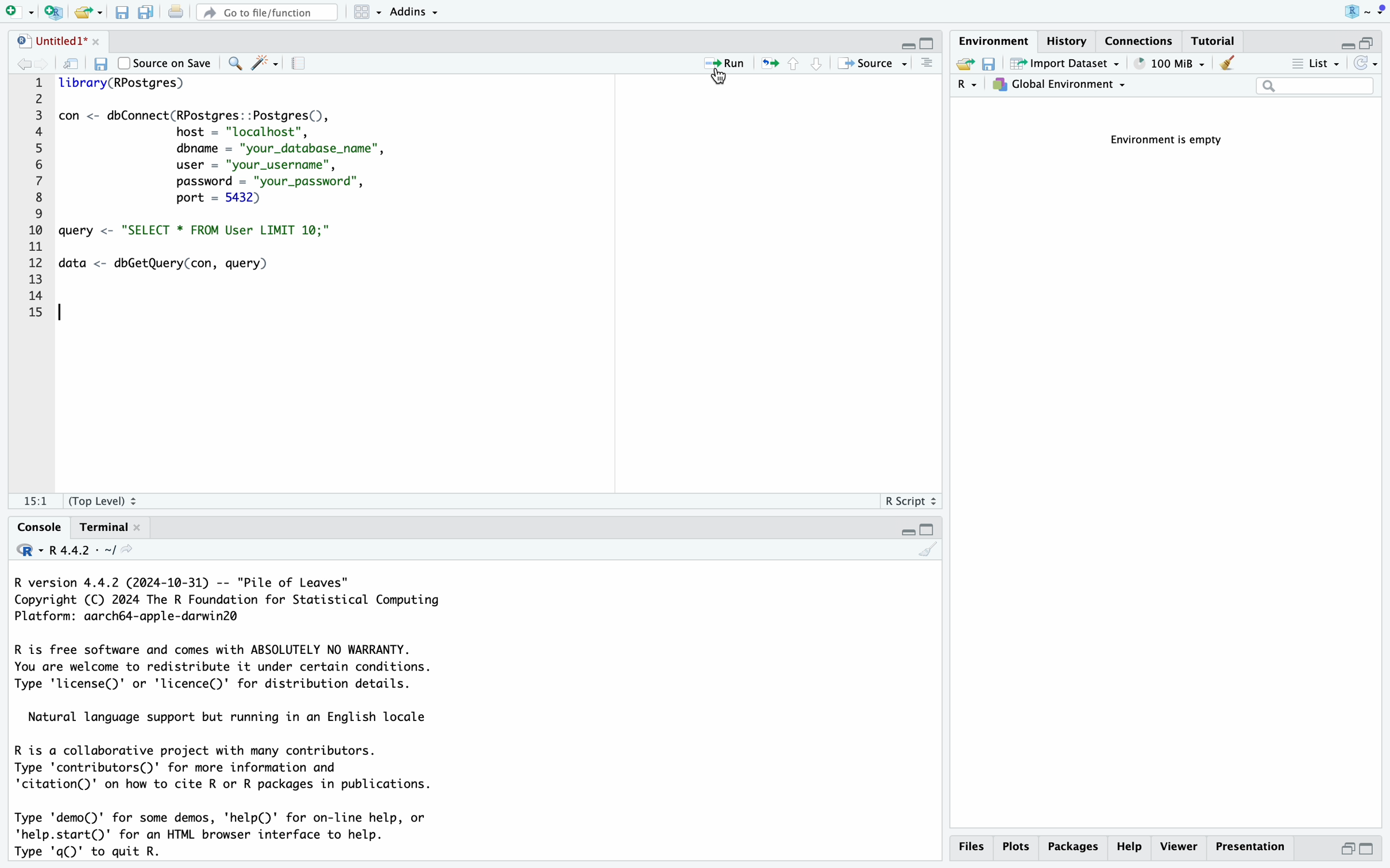 The image size is (1390, 868). Describe the element at coordinates (181, 264) in the screenshot. I see `query to get` at that location.